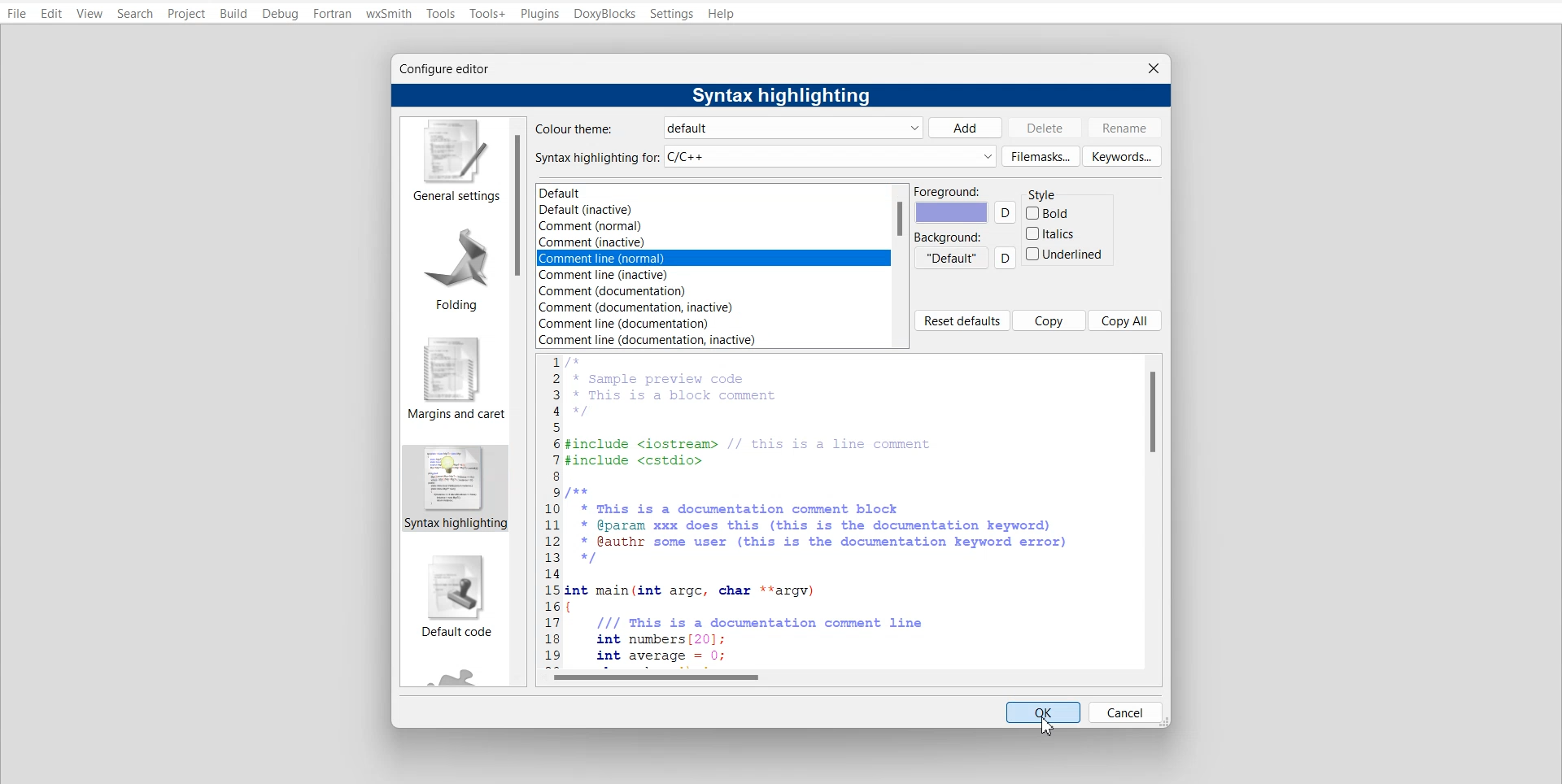 The width and height of the screenshot is (1562, 784). I want to click on Add, so click(966, 127).